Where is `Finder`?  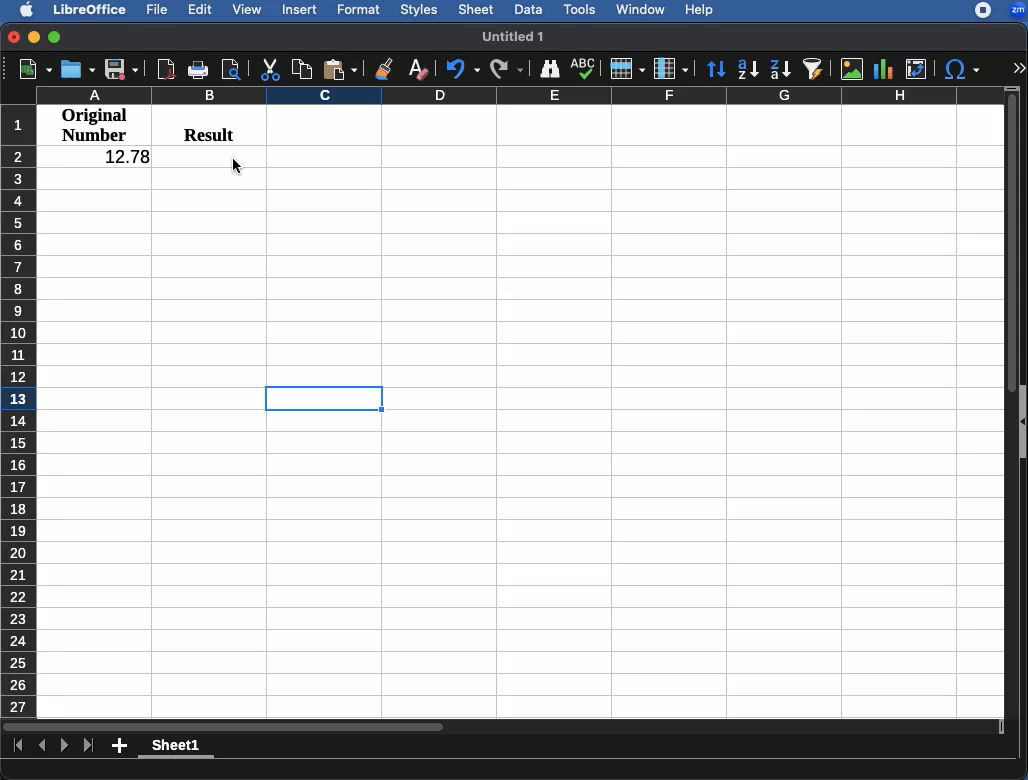
Finder is located at coordinates (551, 70).